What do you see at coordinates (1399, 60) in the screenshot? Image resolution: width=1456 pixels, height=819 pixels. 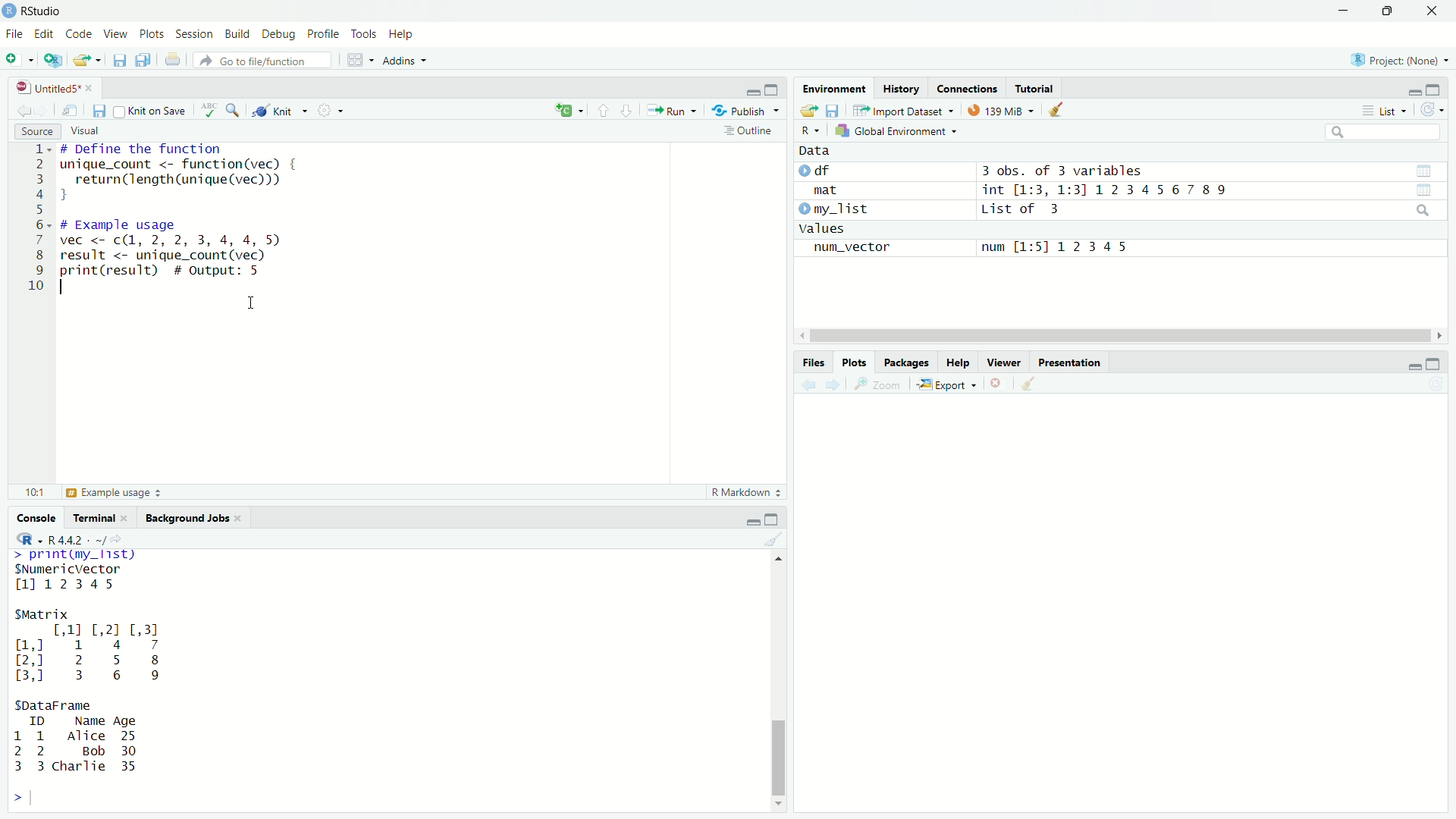 I see `Project(None)` at bounding box center [1399, 60].